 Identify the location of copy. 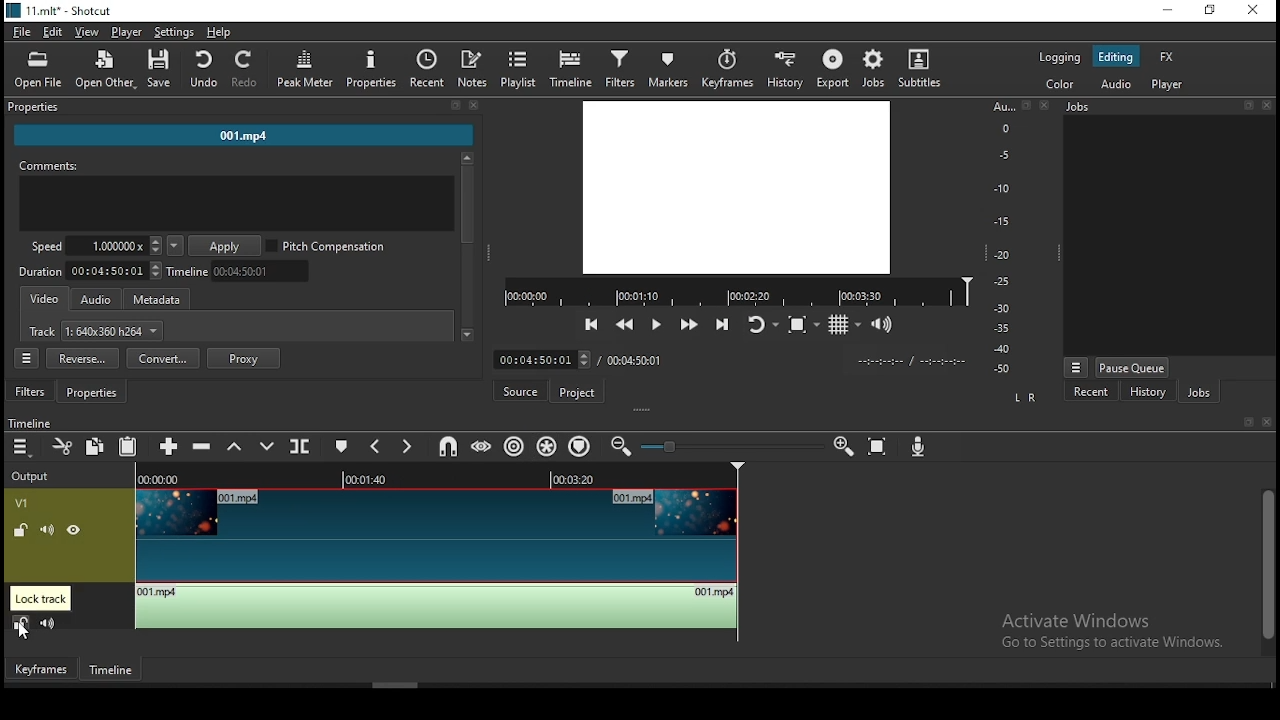
(96, 446).